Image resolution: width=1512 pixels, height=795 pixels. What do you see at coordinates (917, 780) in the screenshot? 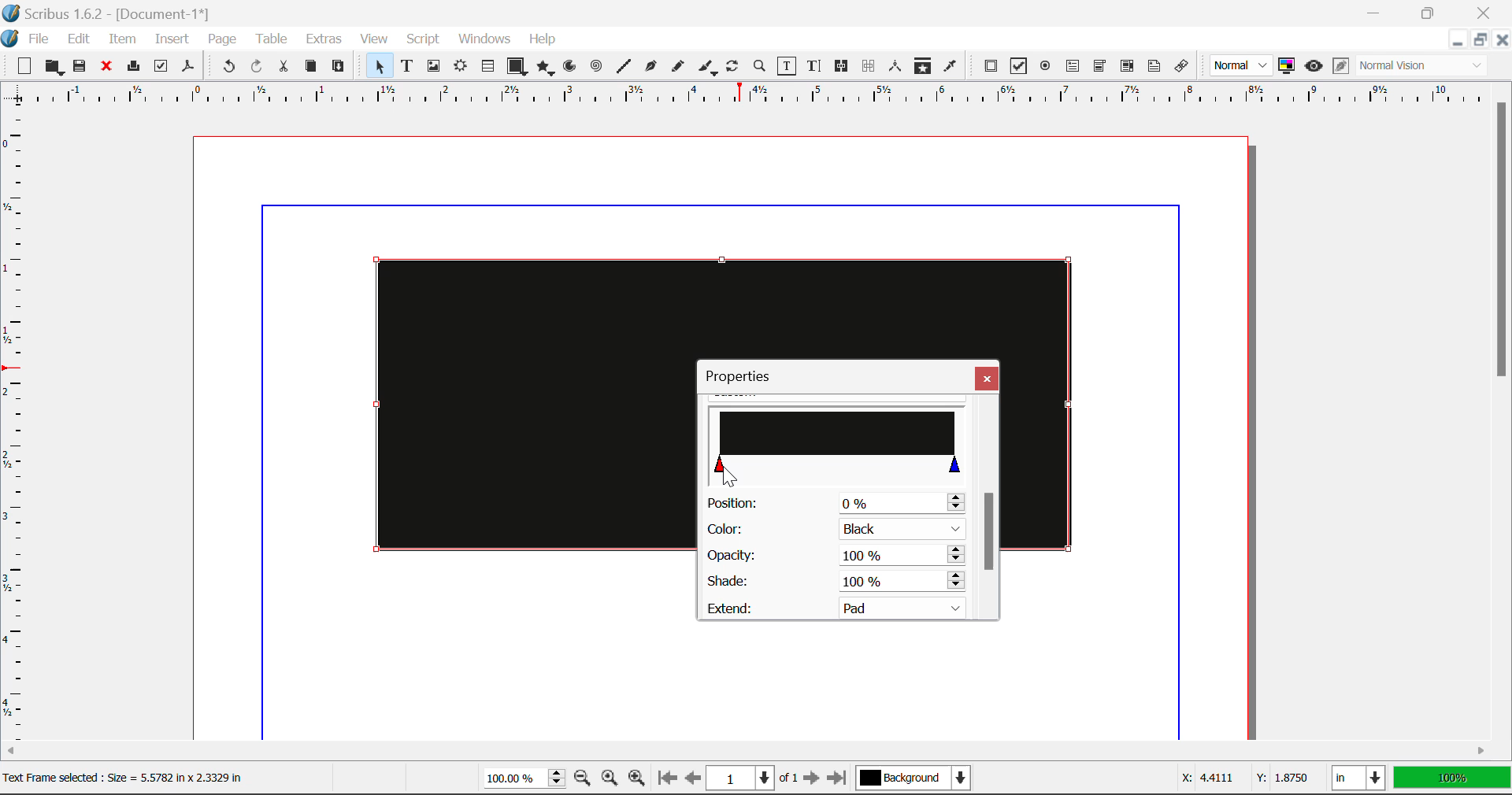
I see `Background` at bounding box center [917, 780].